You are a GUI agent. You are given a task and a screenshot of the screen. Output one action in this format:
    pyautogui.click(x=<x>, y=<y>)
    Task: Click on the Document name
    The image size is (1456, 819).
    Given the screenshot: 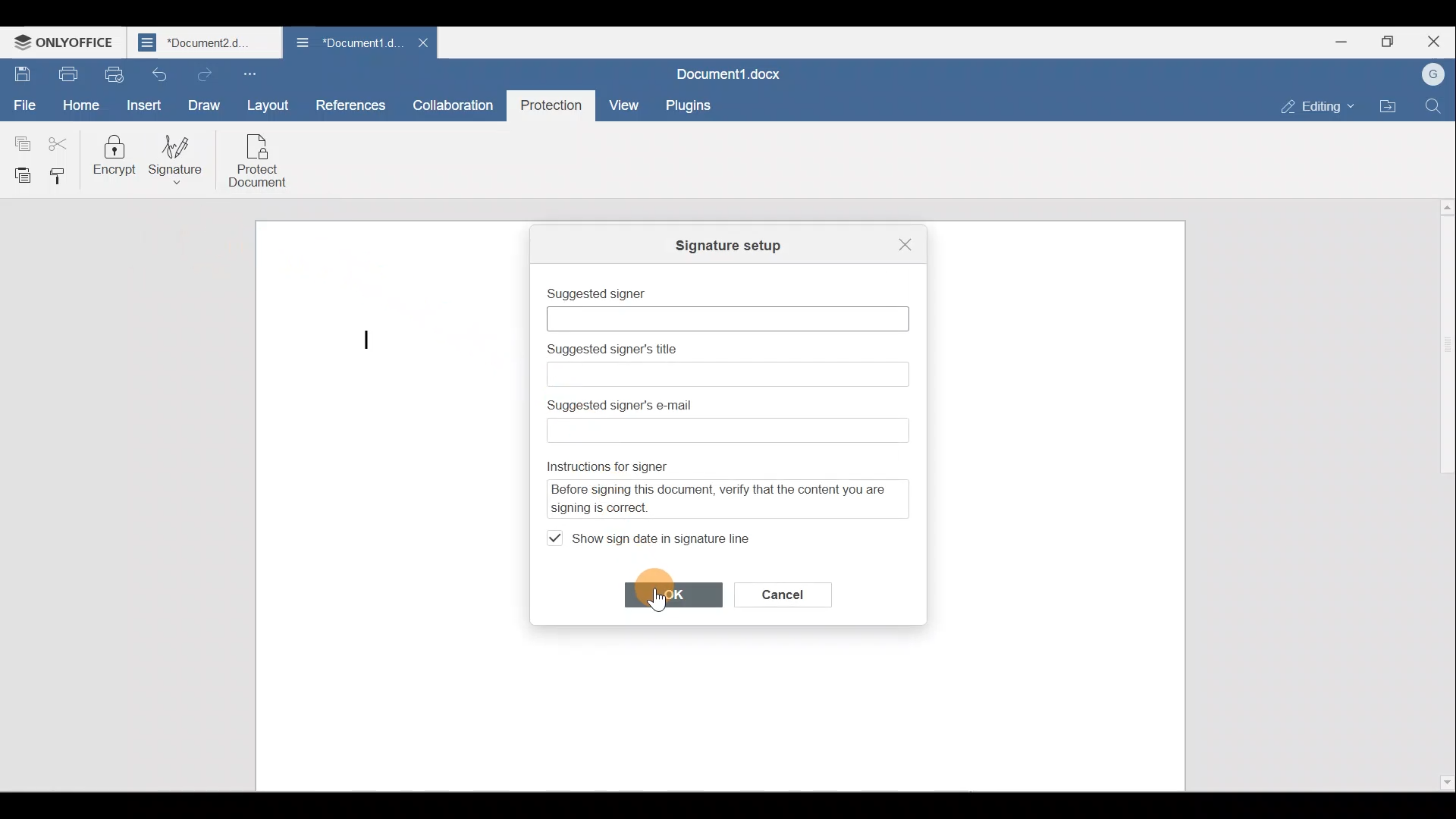 What is the action you would take?
    pyautogui.click(x=727, y=72)
    